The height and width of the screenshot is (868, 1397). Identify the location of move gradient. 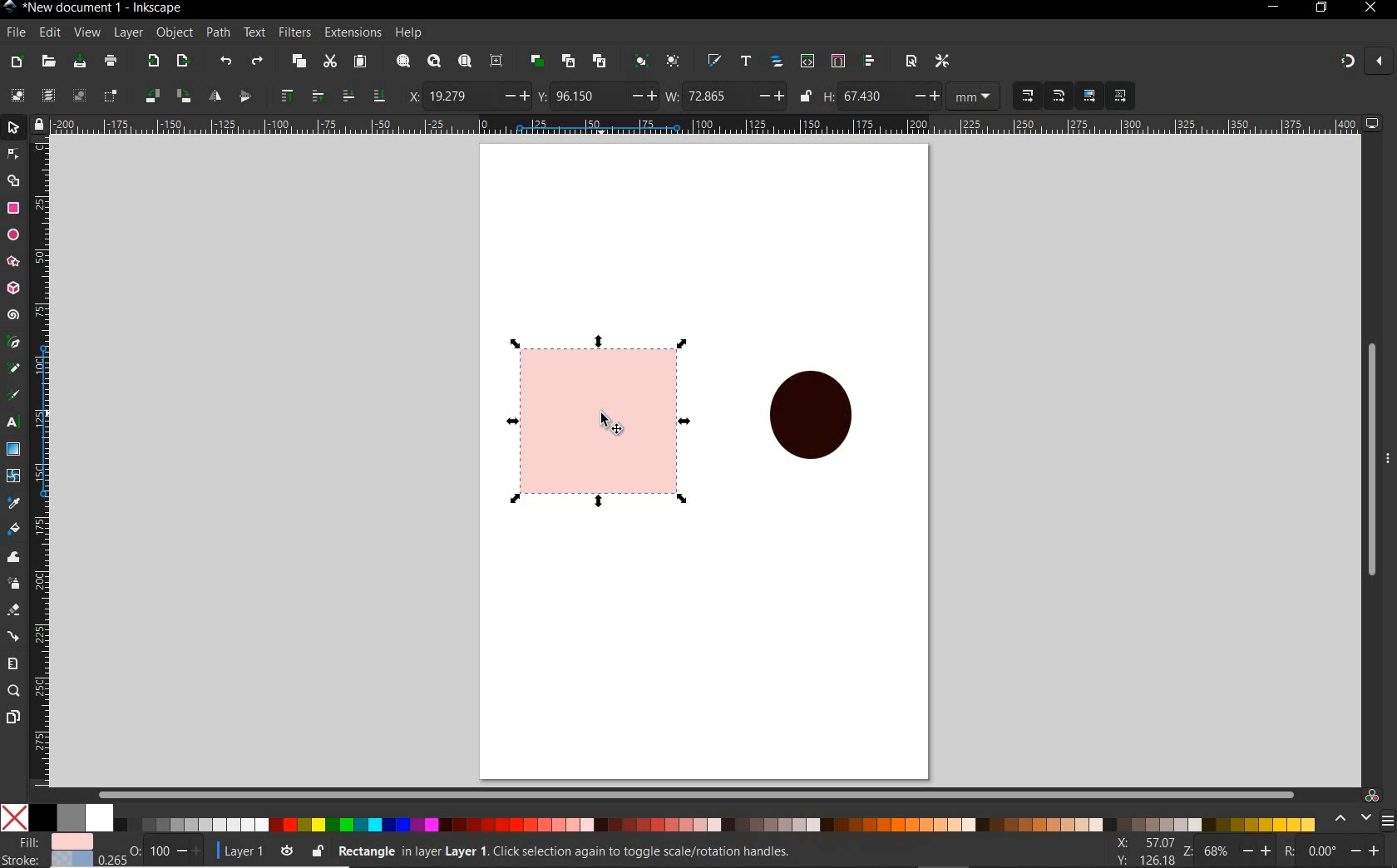
(1090, 95).